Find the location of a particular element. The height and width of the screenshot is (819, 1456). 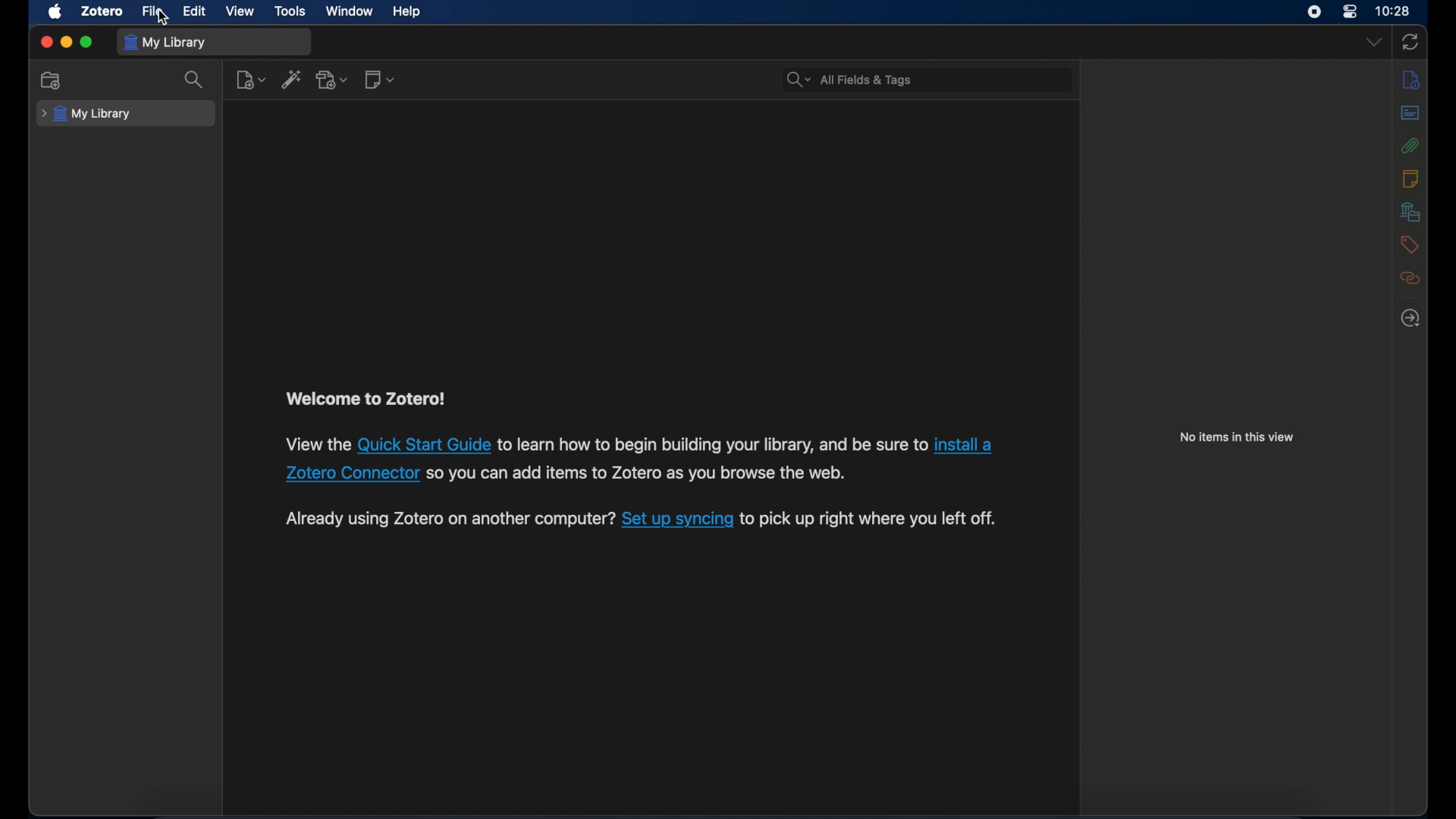

edit is located at coordinates (195, 12).